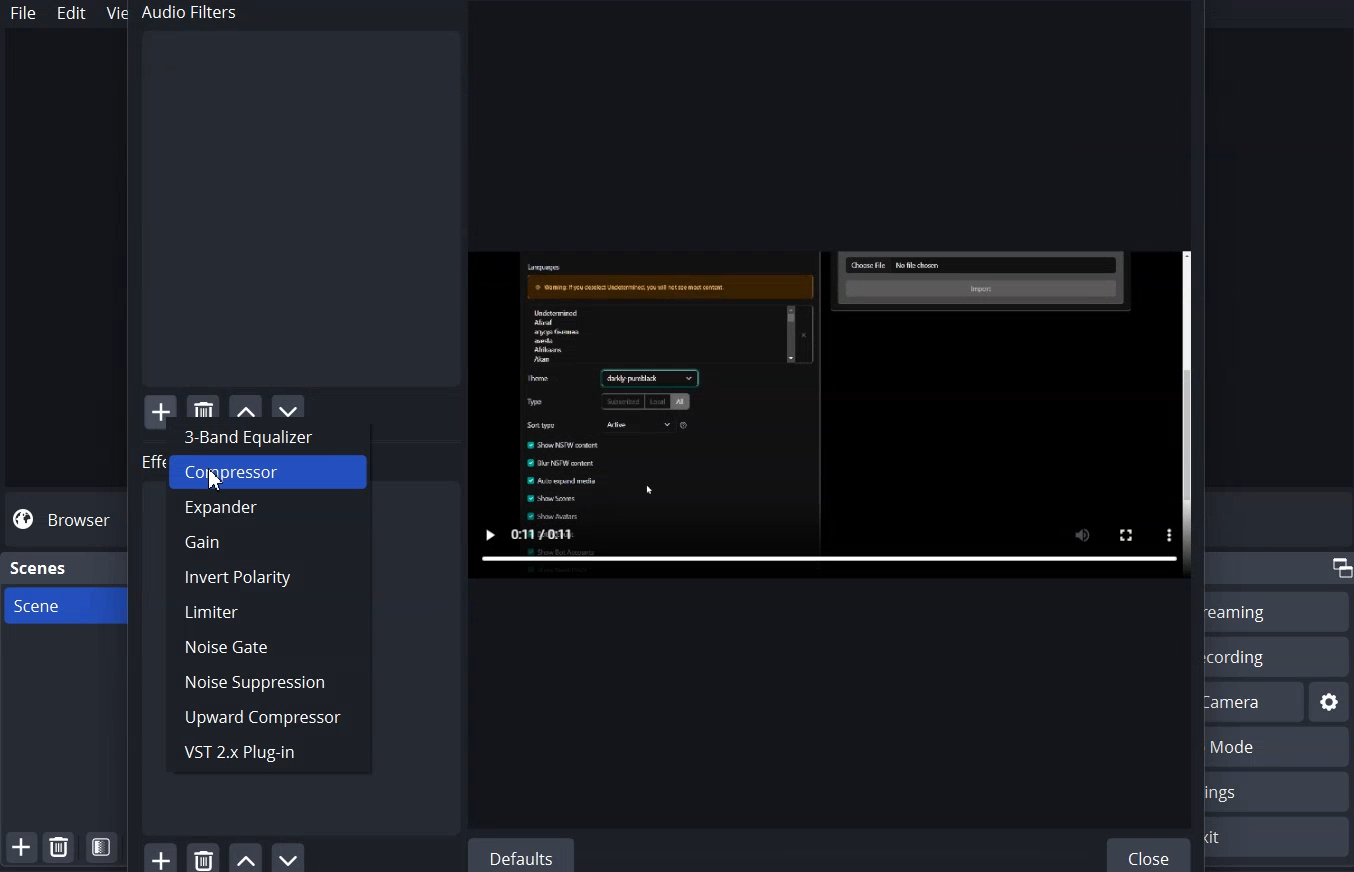  Describe the element at coordinates (73, 13) in the screenshot. I see `Edit` at that location.